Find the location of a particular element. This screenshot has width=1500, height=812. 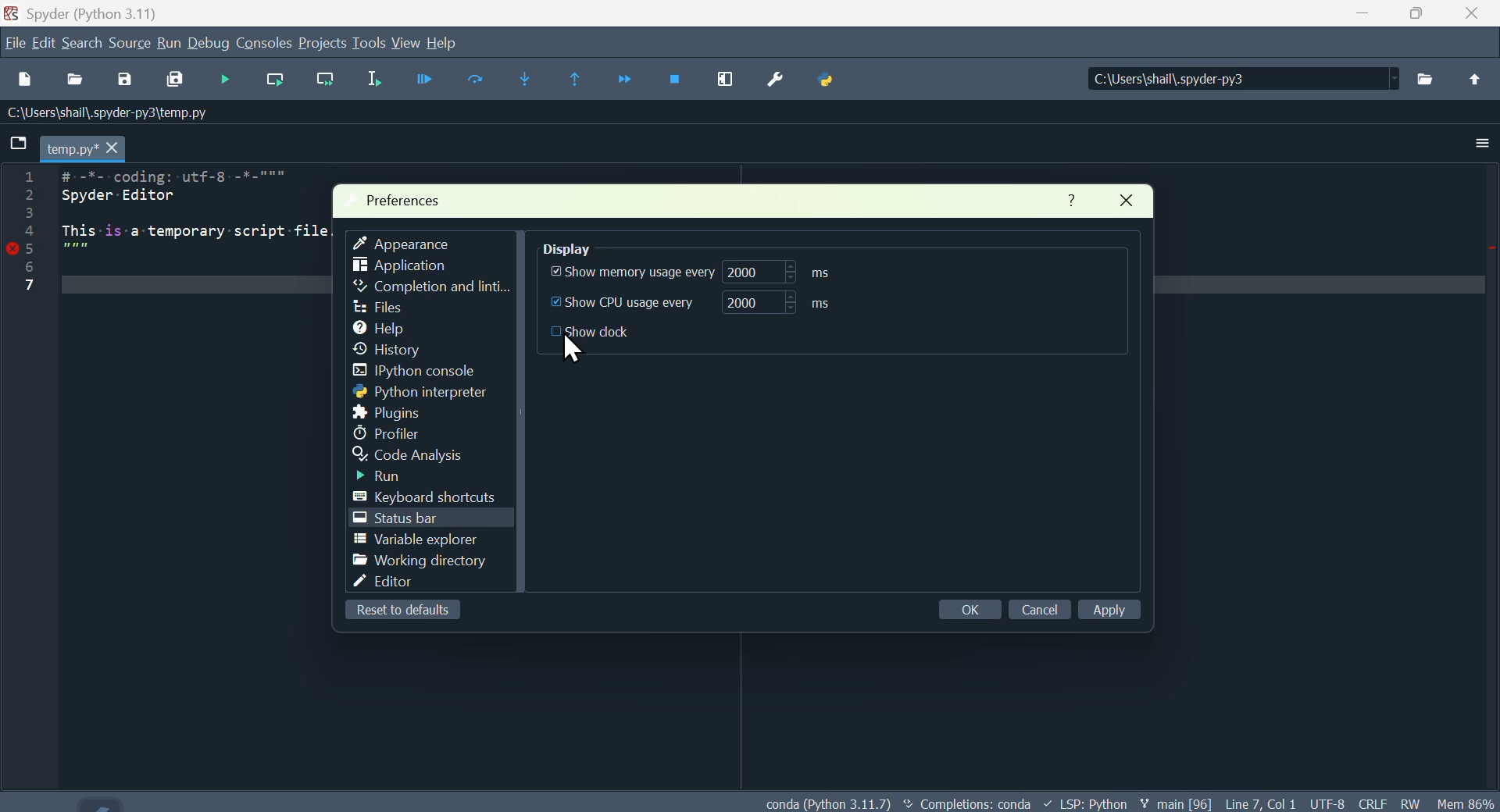

Okay is located at coordinates (966, 607).